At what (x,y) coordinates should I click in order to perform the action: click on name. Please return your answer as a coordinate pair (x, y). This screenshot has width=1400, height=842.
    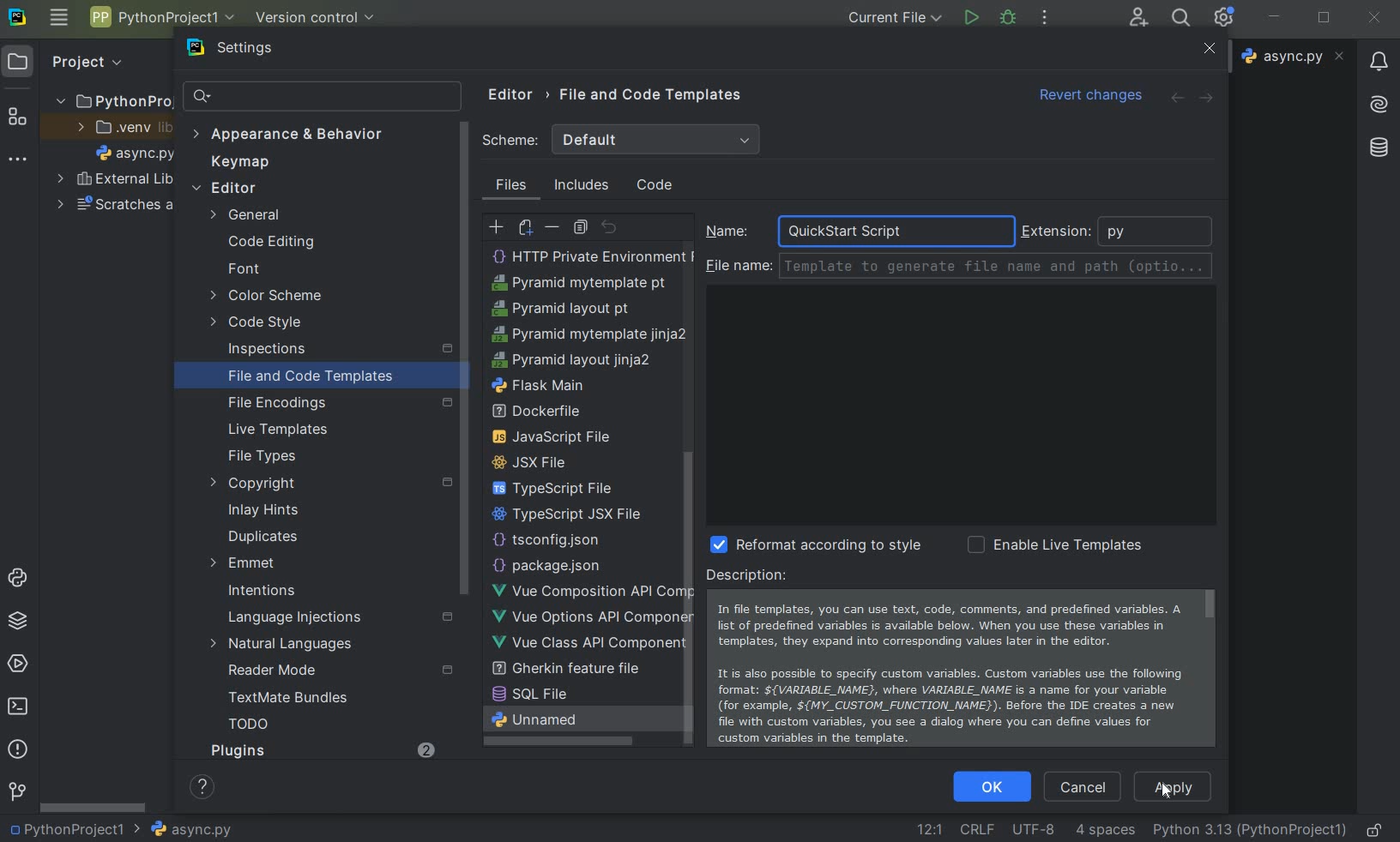
    Looking at the image, I should click on (730, 232).